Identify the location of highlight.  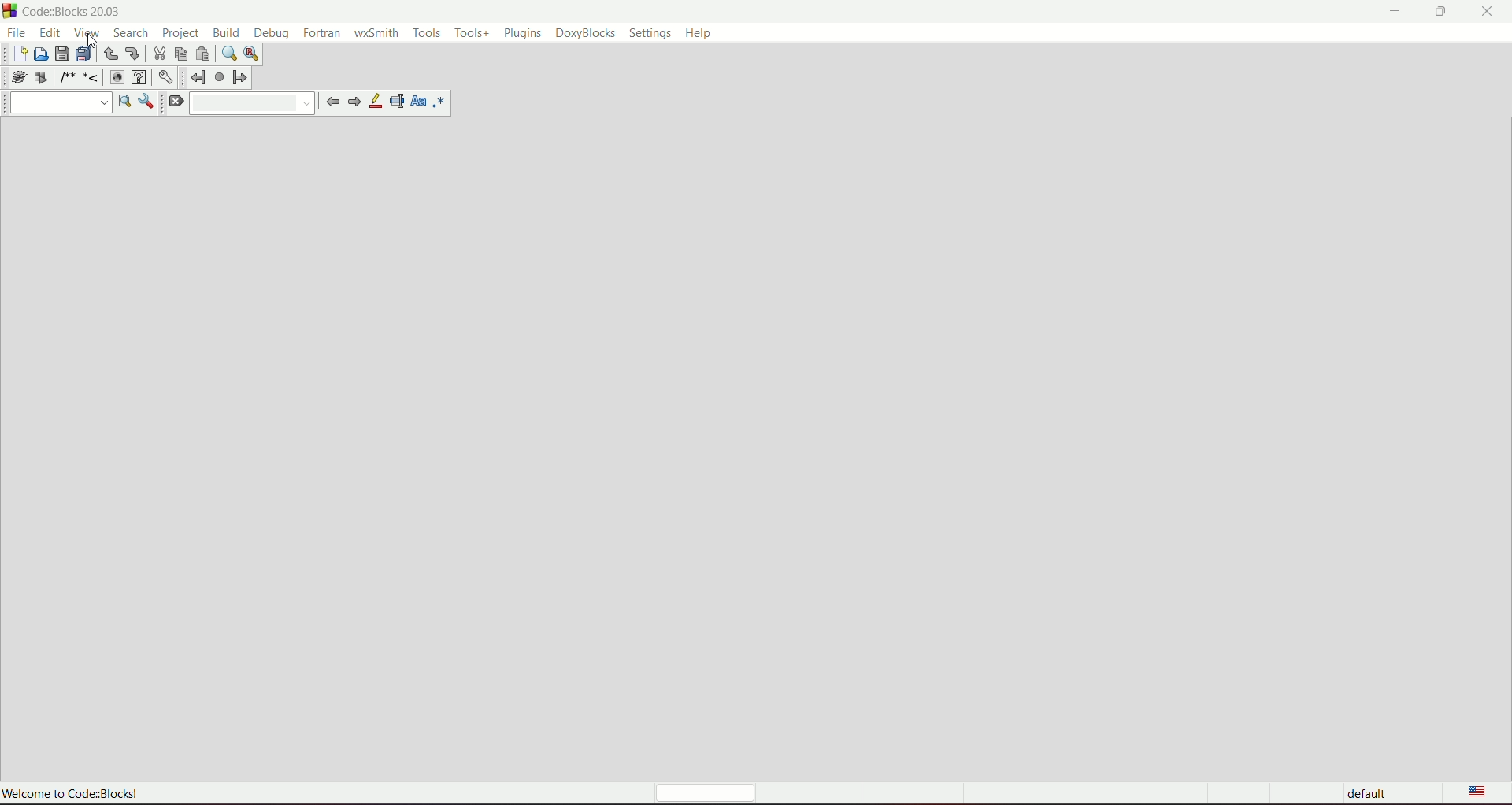
(376, 102).